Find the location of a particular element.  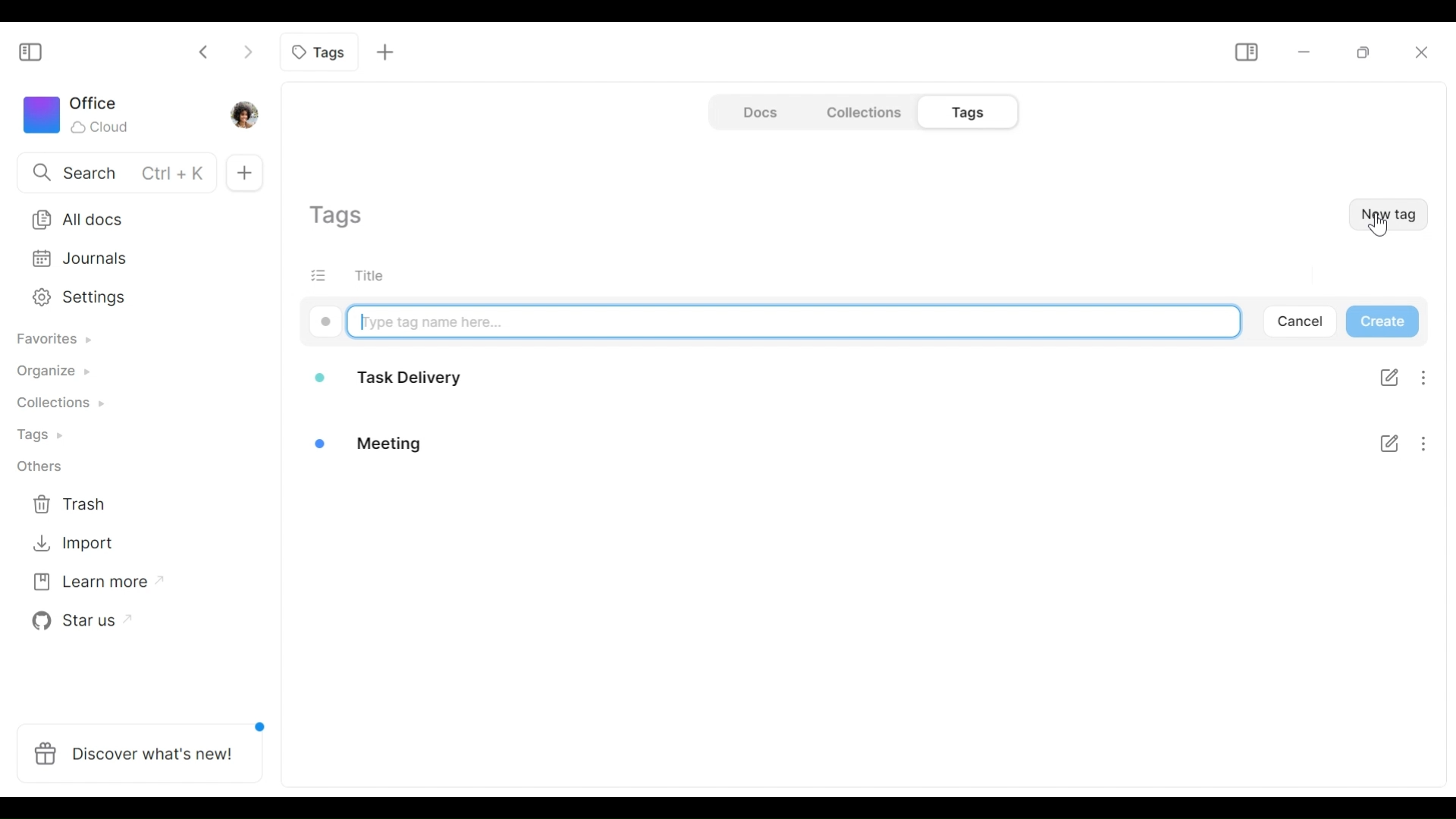

Tags is located at coordinates (46, 436).